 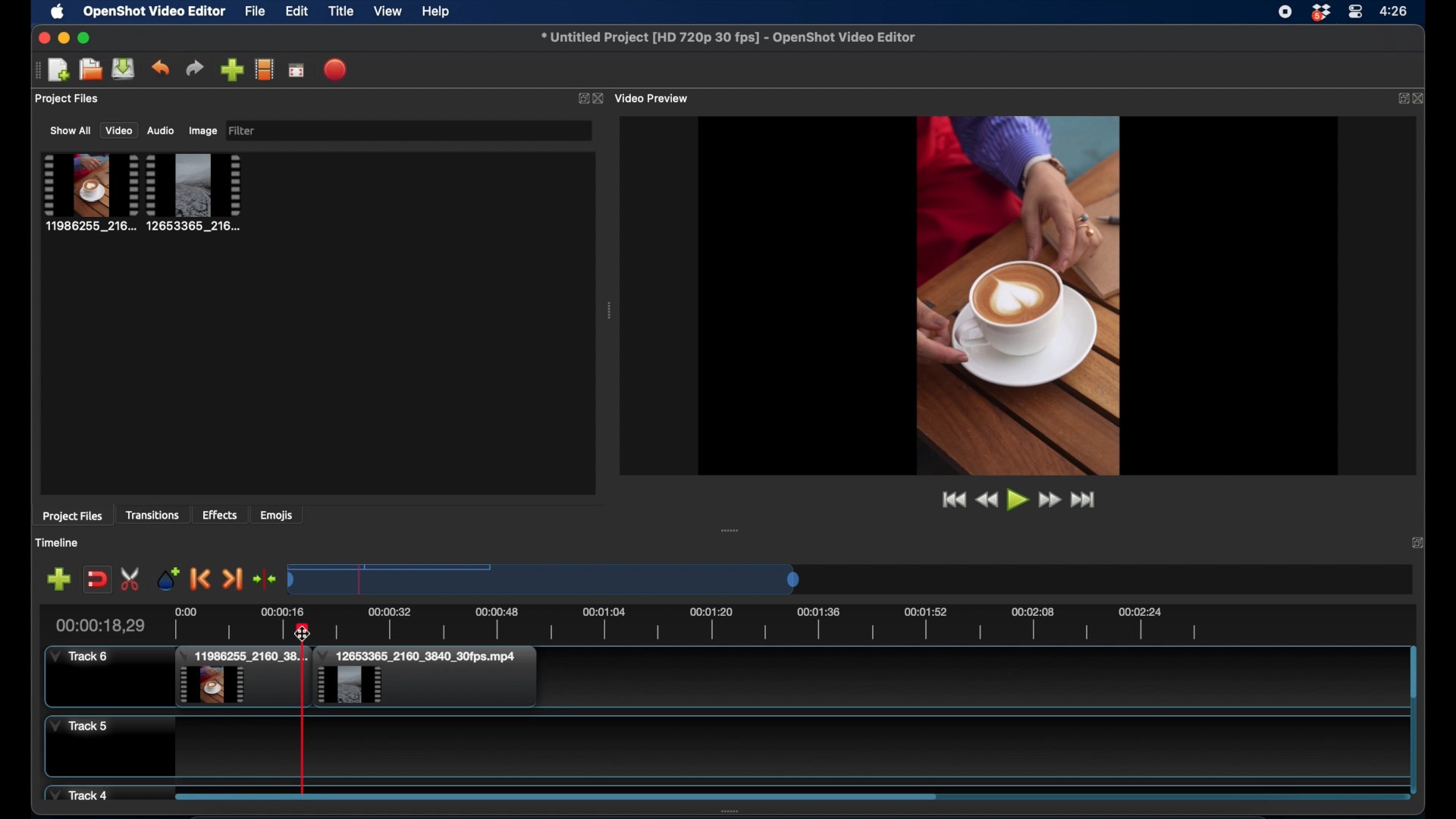 I want to click on previous marker, so click(x=202, y=580).